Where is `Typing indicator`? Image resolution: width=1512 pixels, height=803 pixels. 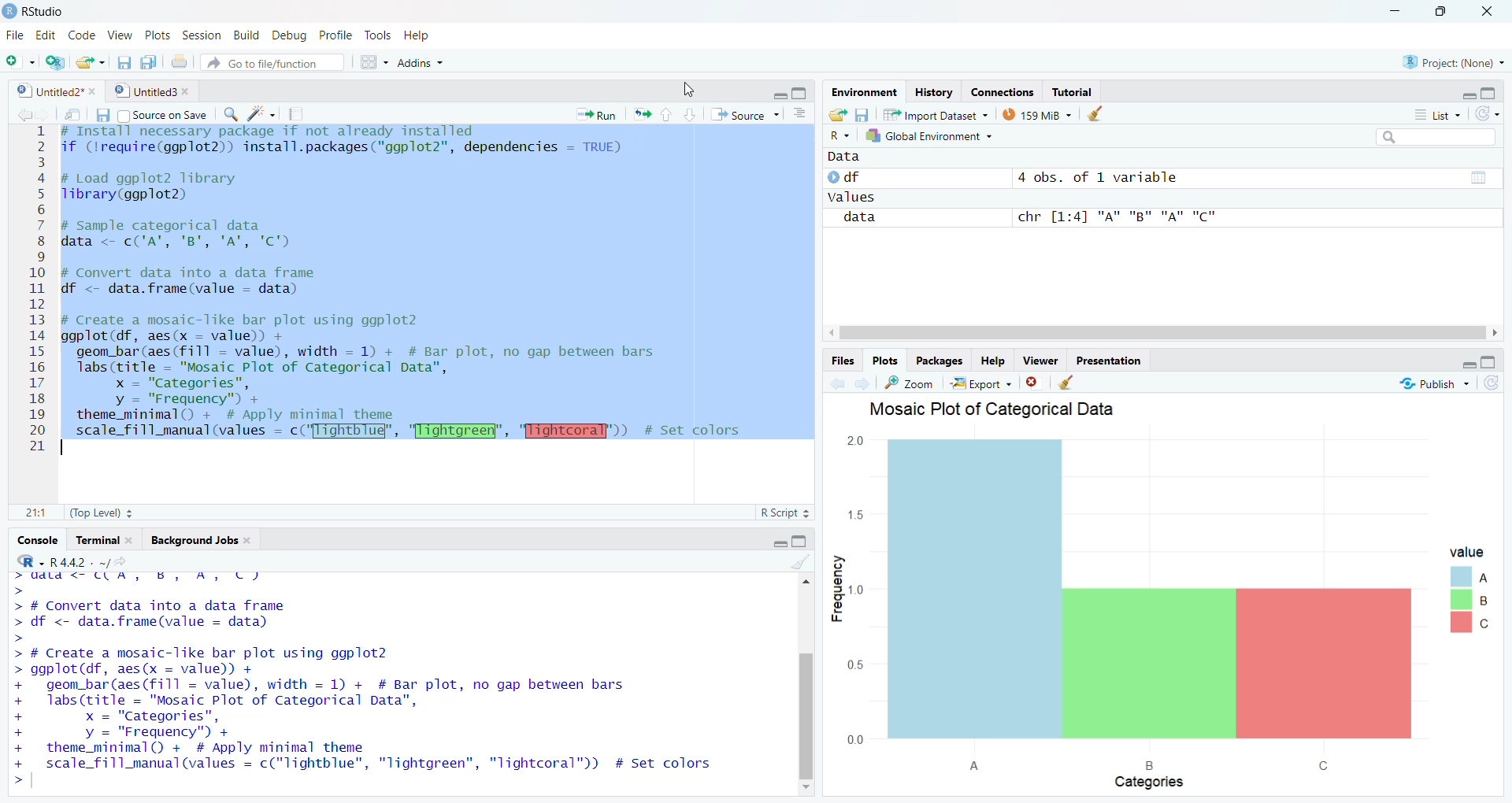 Typing indicator is located at coordinates (26, 584).